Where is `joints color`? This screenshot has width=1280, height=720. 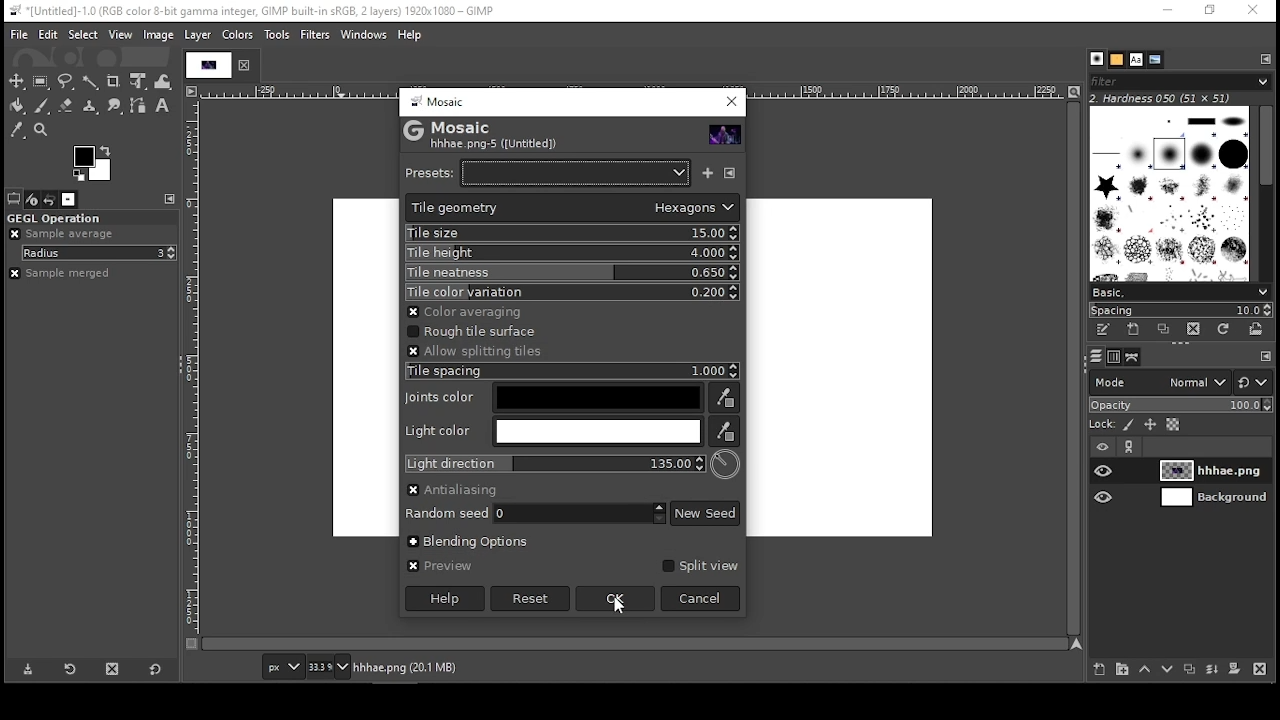 joints color is located at coordinates (725, 398).